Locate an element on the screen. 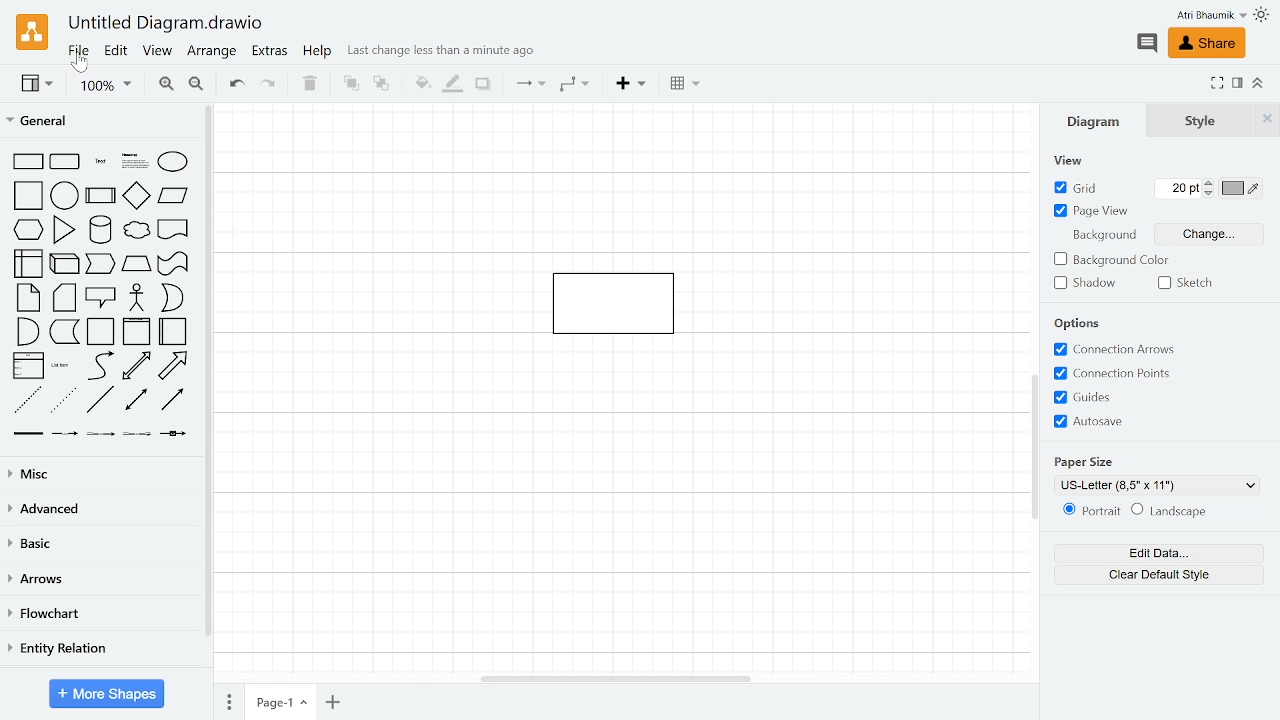 This screenshot has width=1280, height=720. Format is located at coordinates (1237, 82).